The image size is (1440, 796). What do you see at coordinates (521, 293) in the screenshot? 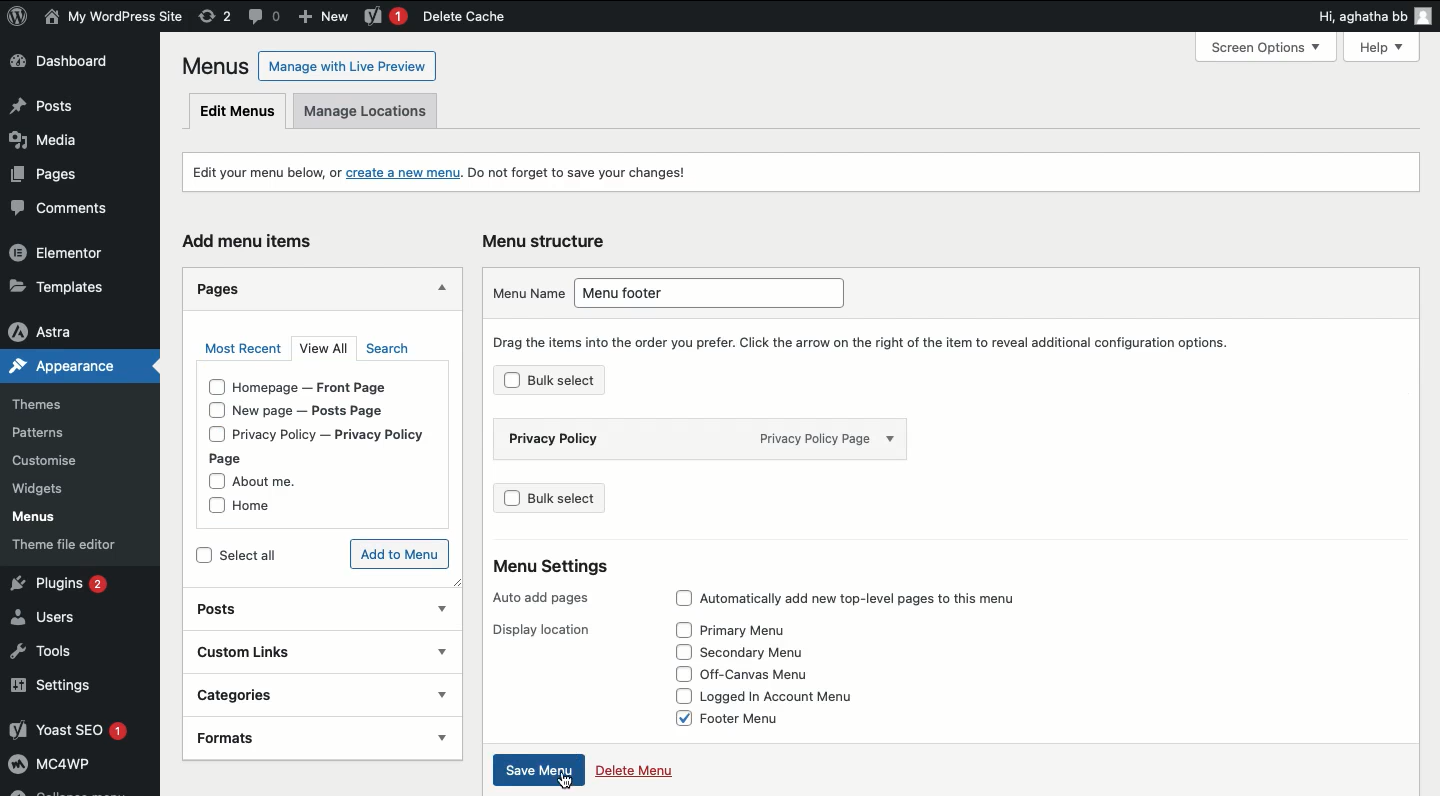
I see `Menu name` at bounding box center [521, 293].